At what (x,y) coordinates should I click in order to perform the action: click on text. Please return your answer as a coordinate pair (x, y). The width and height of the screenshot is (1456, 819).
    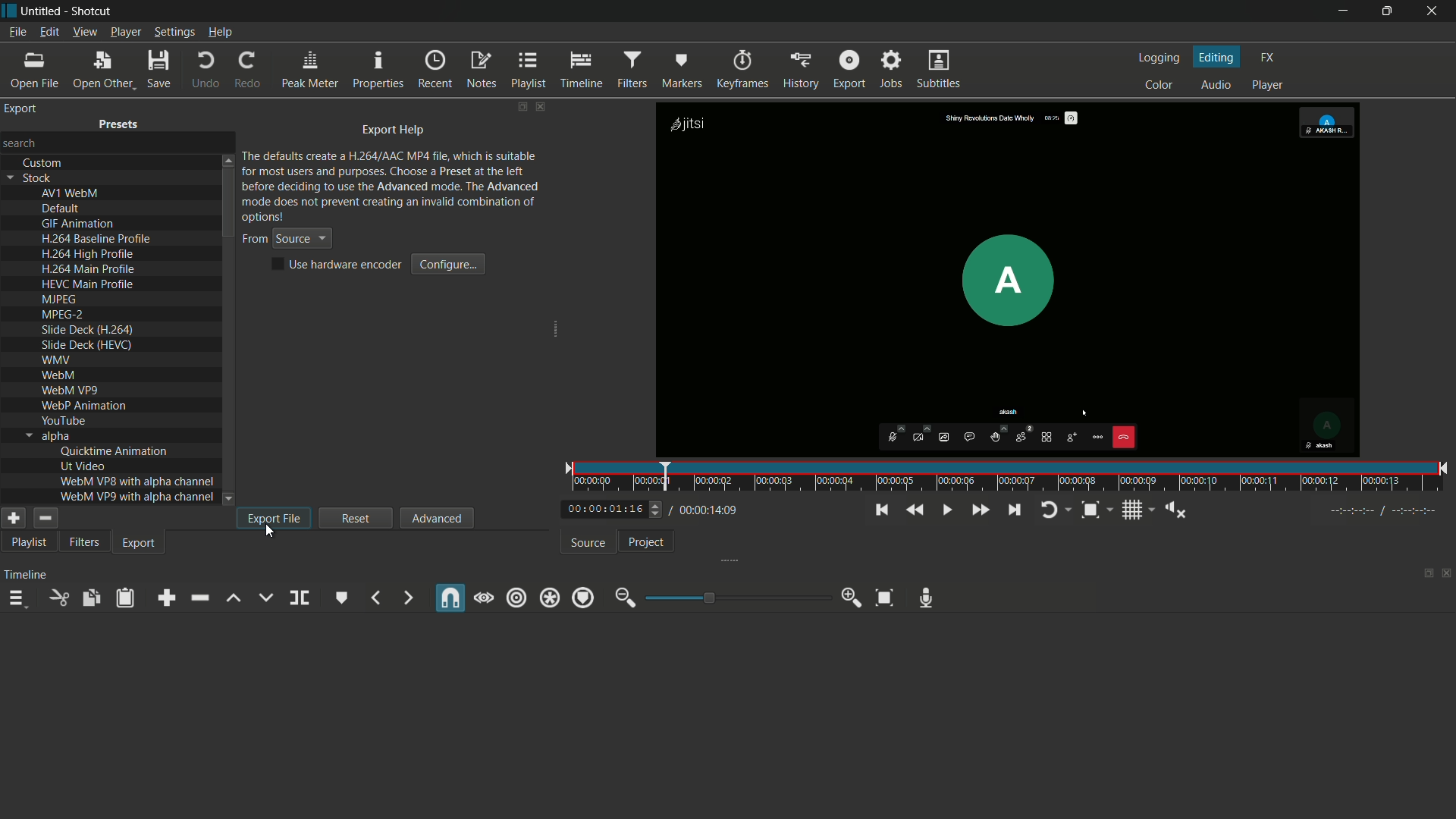
    Looking at the image, I should click on (83, 466).